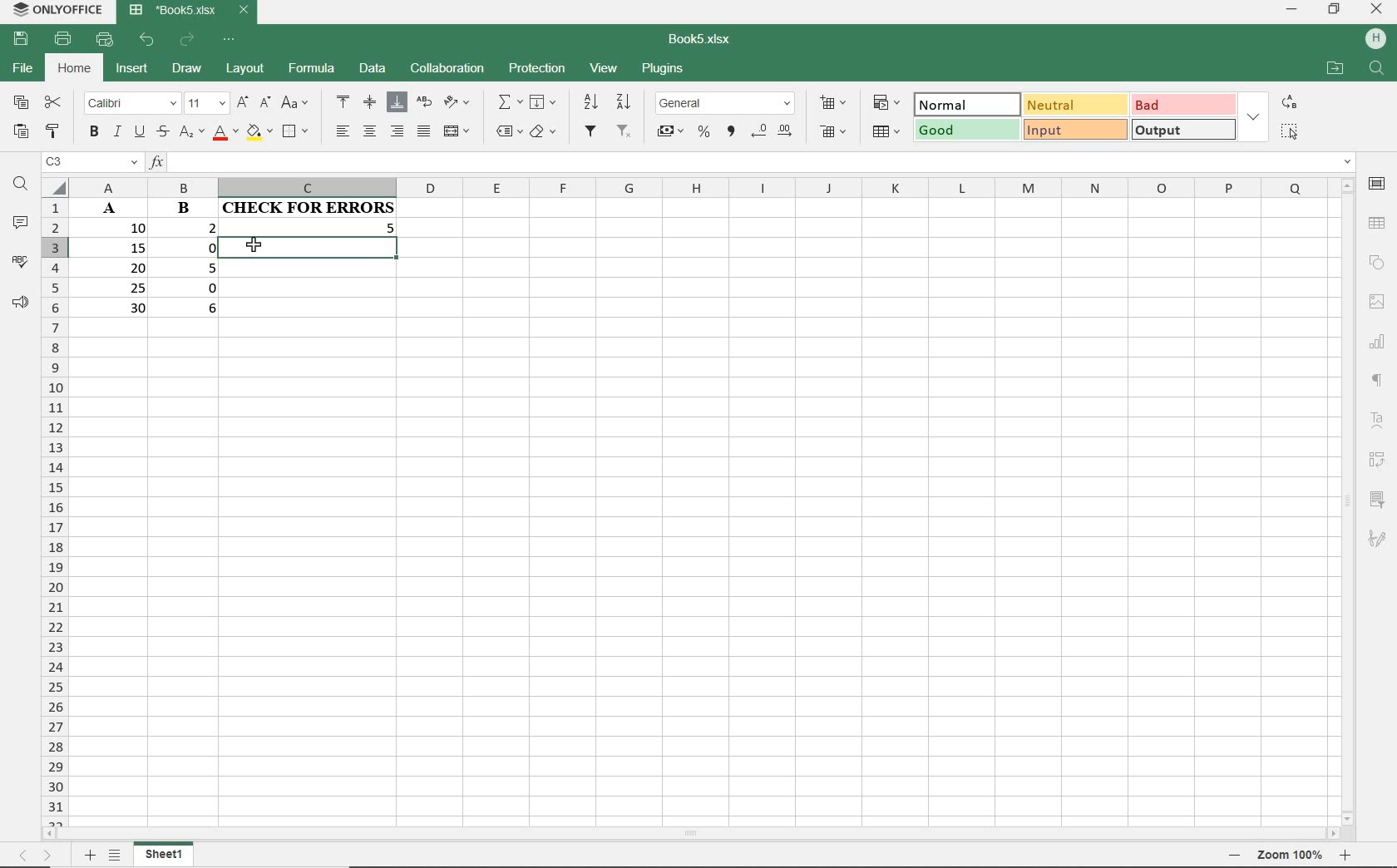  What do you see at coordinates (1291, 10) in the screenshot?
I see `MINIMIZE` at bounding box center [1291, 10].